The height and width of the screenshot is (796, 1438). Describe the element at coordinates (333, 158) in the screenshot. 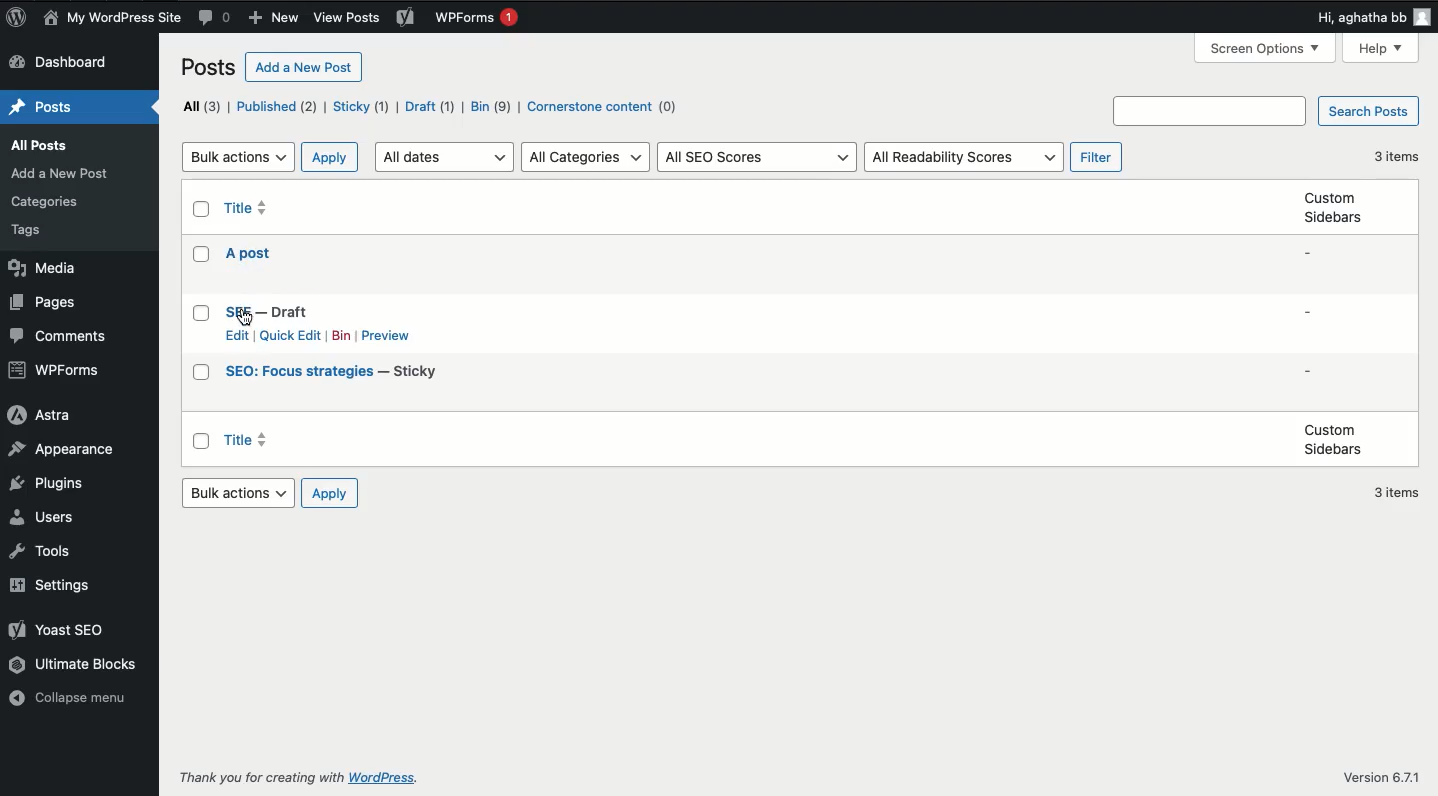

I see `Apply` at that location.